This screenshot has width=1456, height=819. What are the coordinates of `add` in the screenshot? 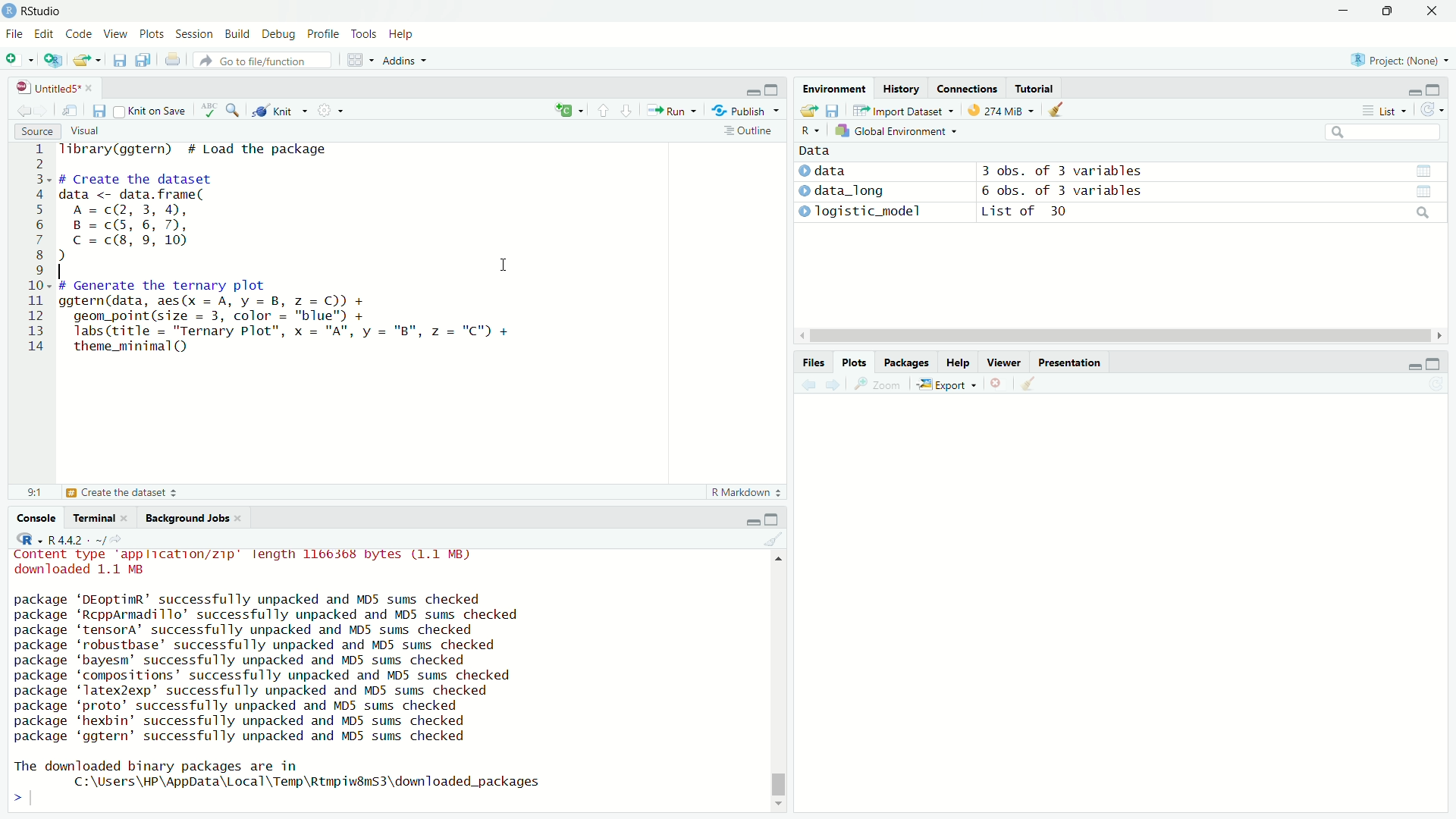 It's located at (561, 111).